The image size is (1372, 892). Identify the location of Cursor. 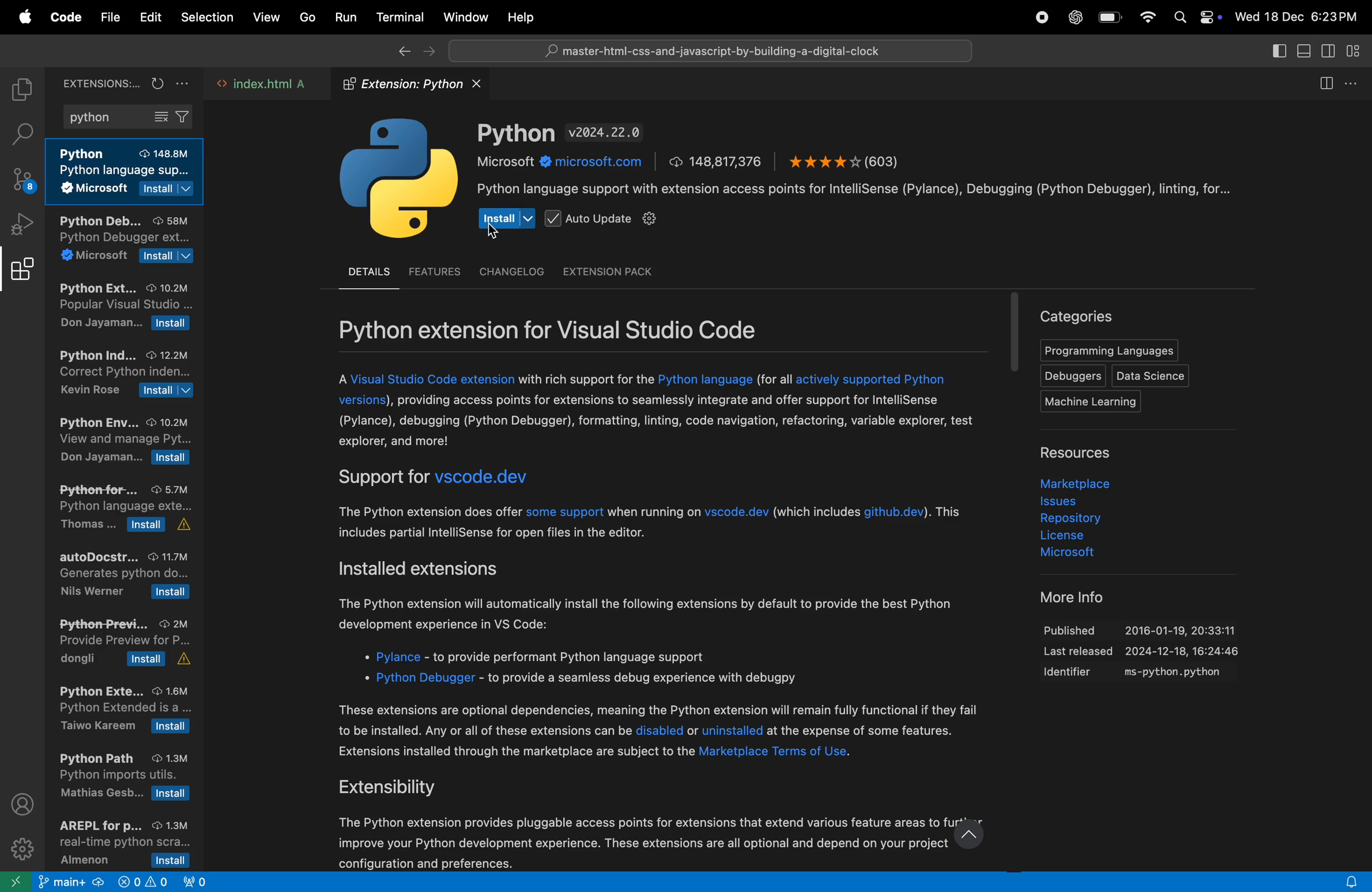
(495, 233).